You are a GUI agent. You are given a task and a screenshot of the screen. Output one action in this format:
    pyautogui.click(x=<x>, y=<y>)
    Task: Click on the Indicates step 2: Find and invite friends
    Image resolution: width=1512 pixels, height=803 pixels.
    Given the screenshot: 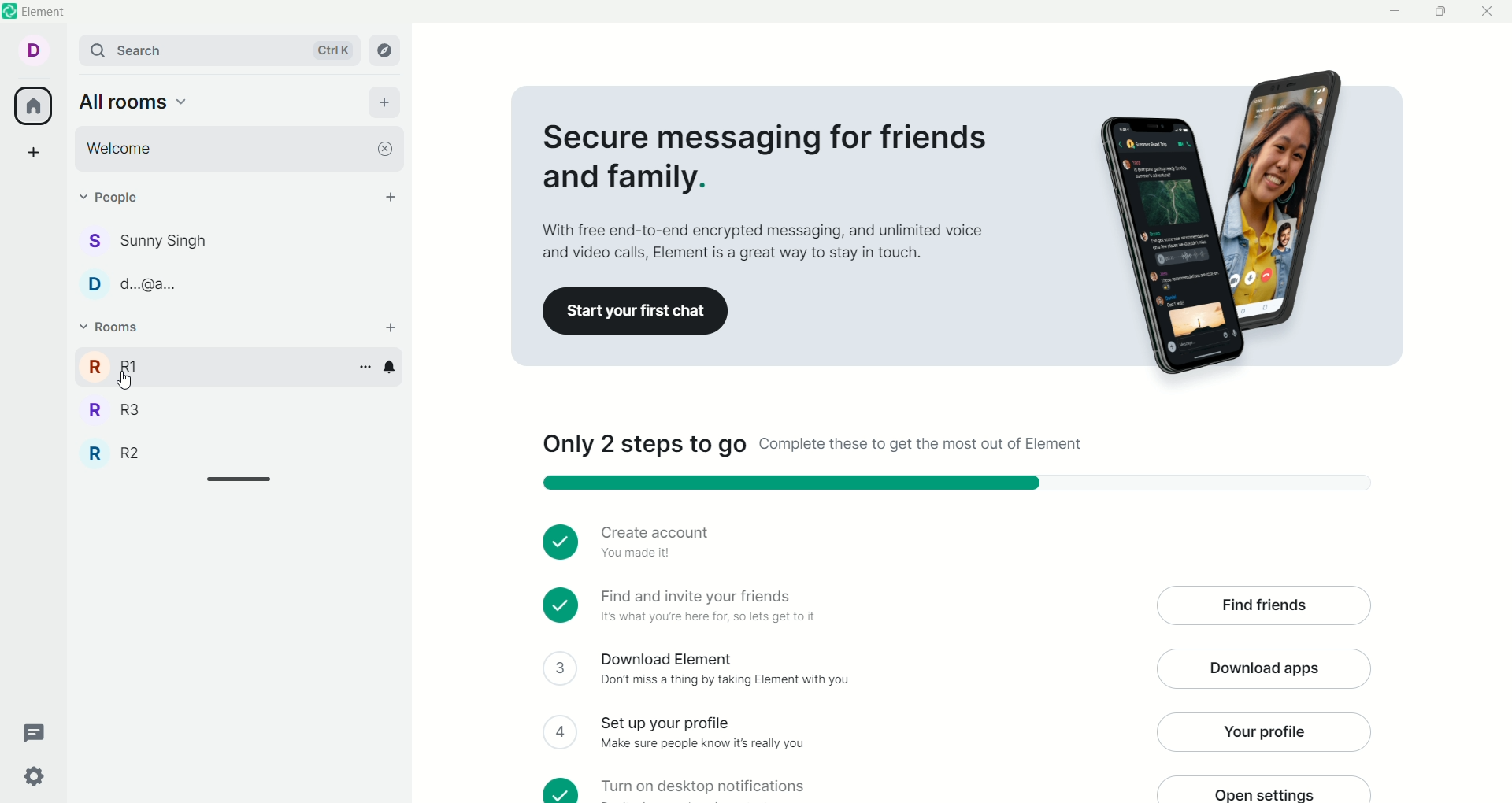 What is the action you would take?
    pyautogui.click(x=710, y=607)
    